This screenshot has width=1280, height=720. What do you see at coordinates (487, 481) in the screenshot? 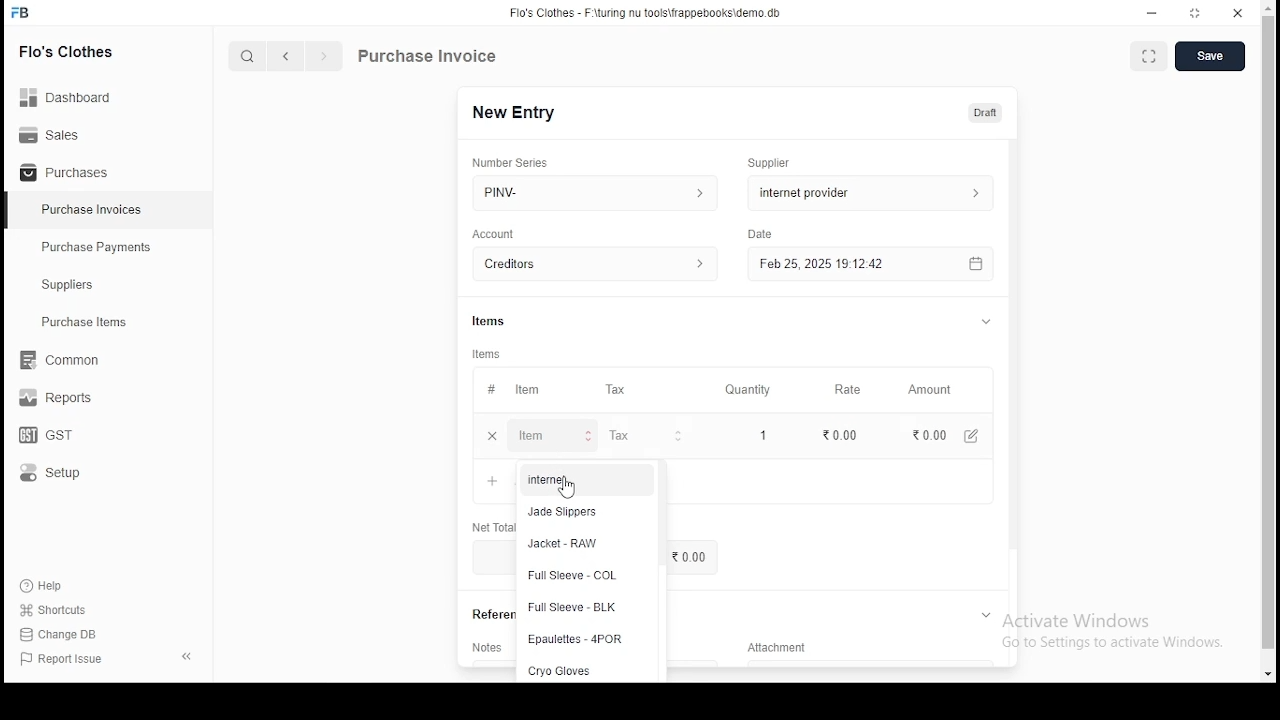
I see `net total` at bounding box center [487, 481].